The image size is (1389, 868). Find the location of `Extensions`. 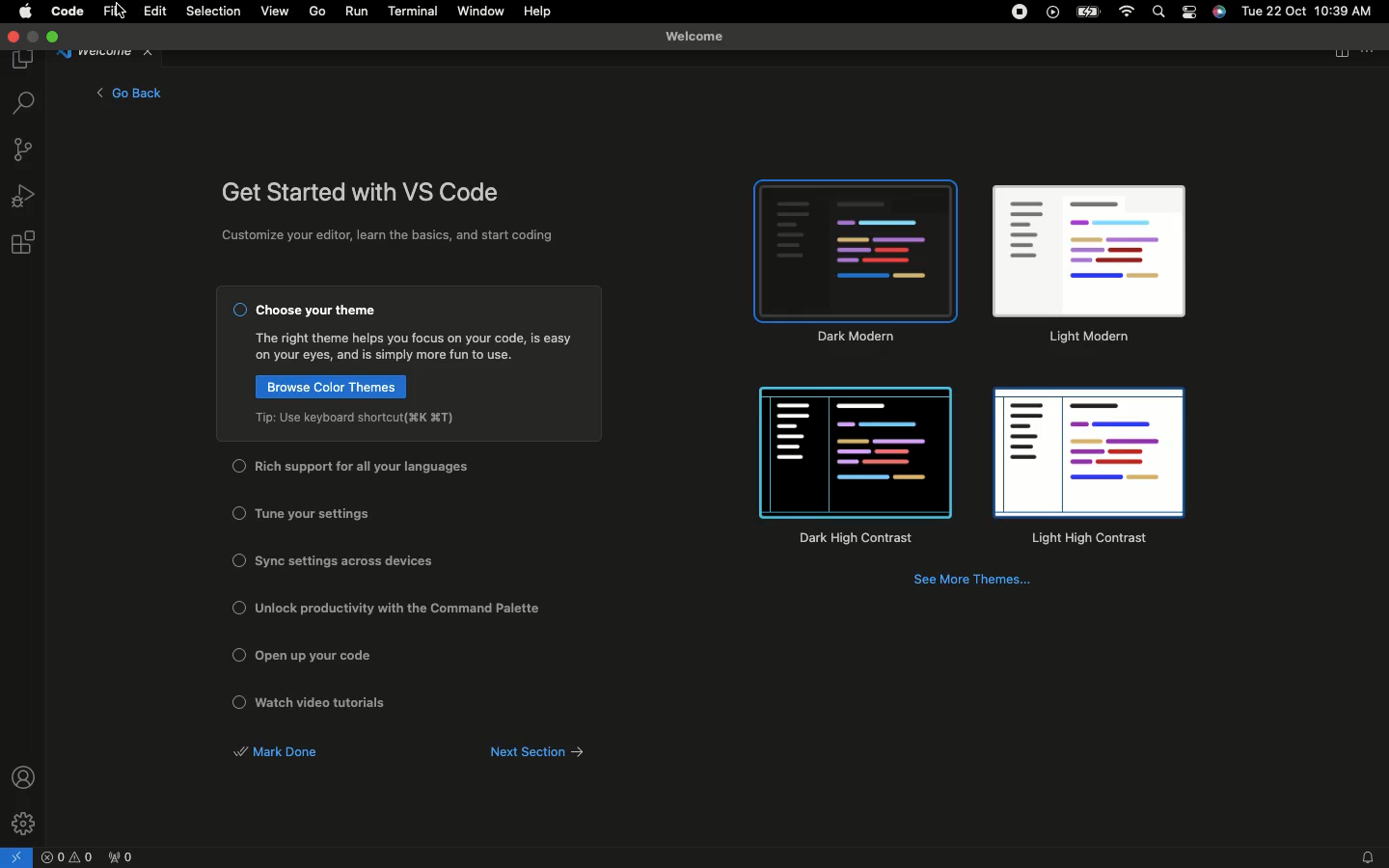

Extensions is located at coordinates (25, 244).